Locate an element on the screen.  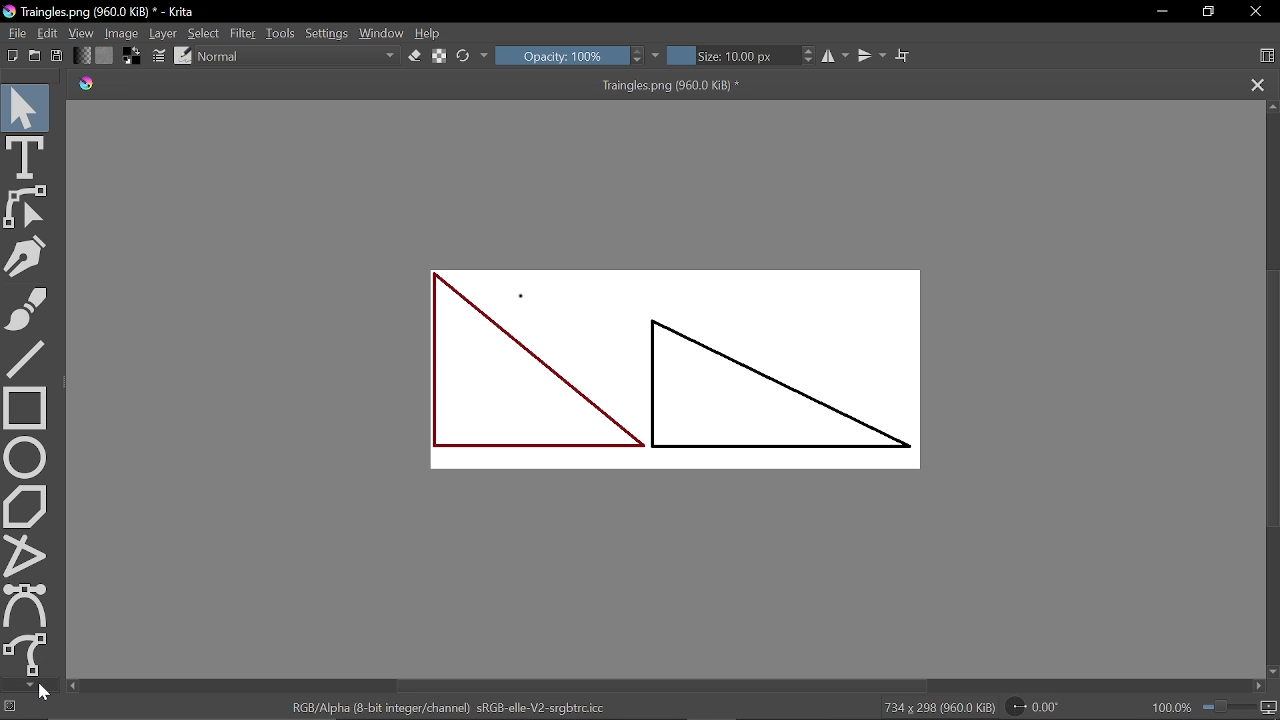
Choose workspace is located at coordinates (1267, 55).